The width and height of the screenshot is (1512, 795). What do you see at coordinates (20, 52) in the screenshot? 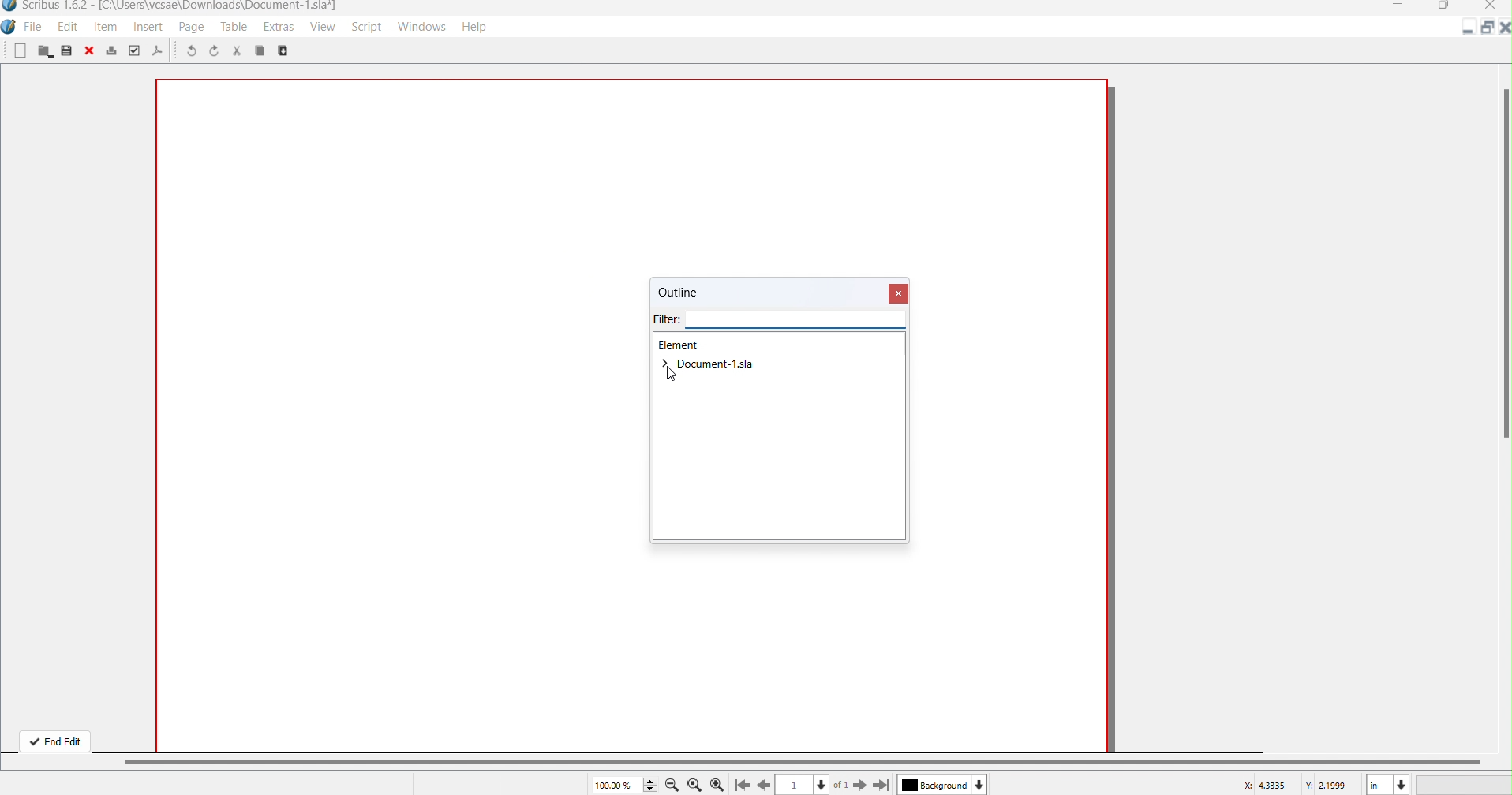
I see `blank` at bounding box center [20, 52].